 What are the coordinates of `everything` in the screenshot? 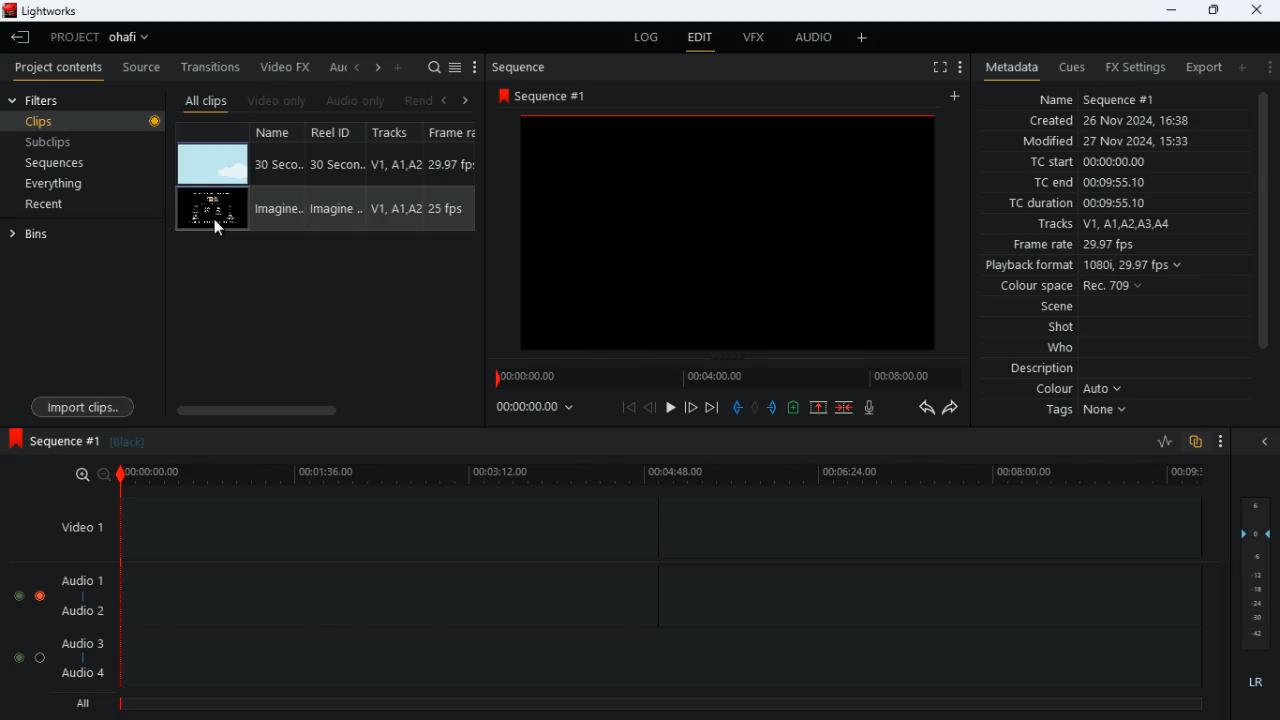 It's located at (76, 183).